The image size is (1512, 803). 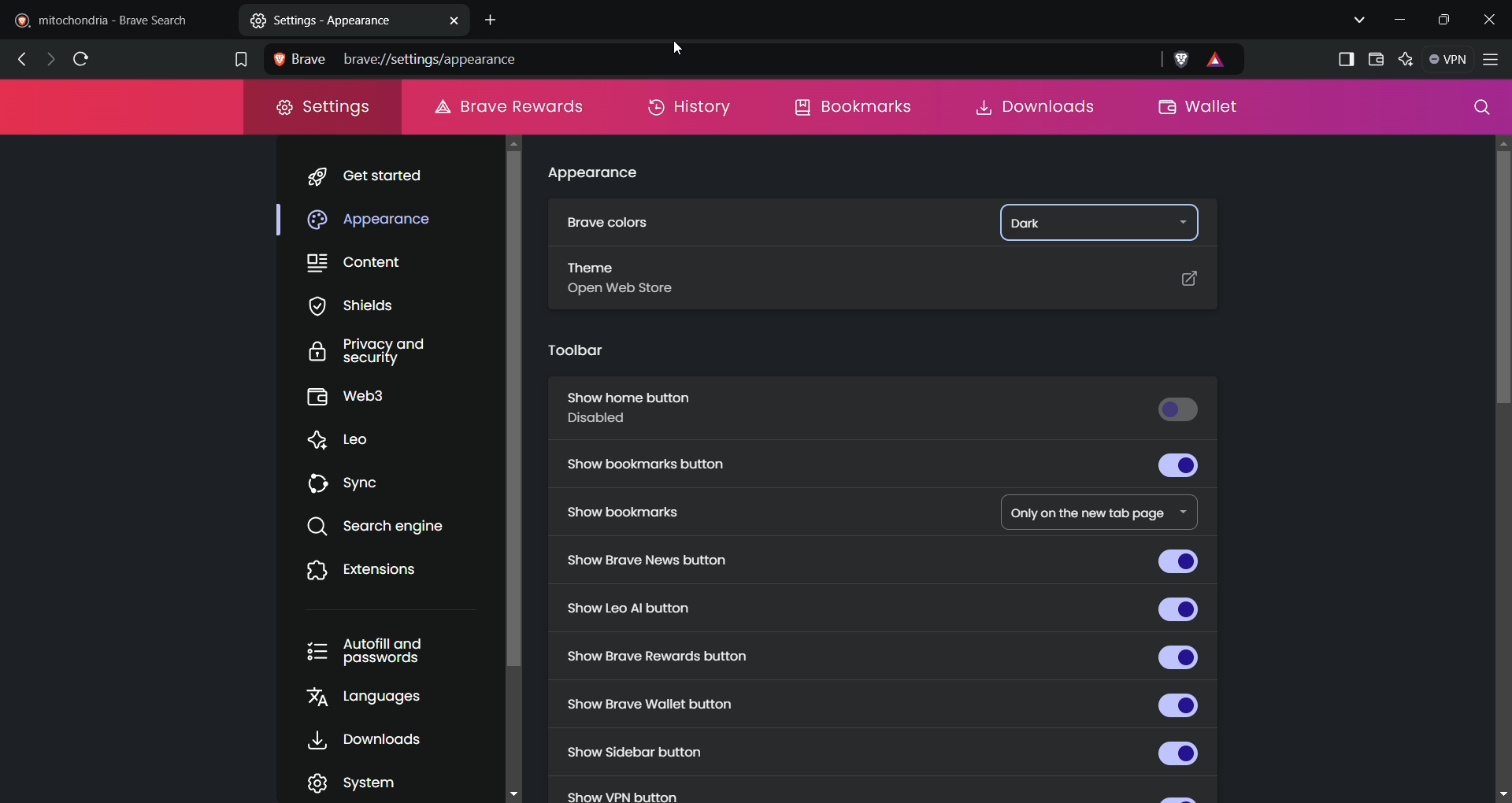 I want to click on show sidebar button, so click(x=878, y=753).